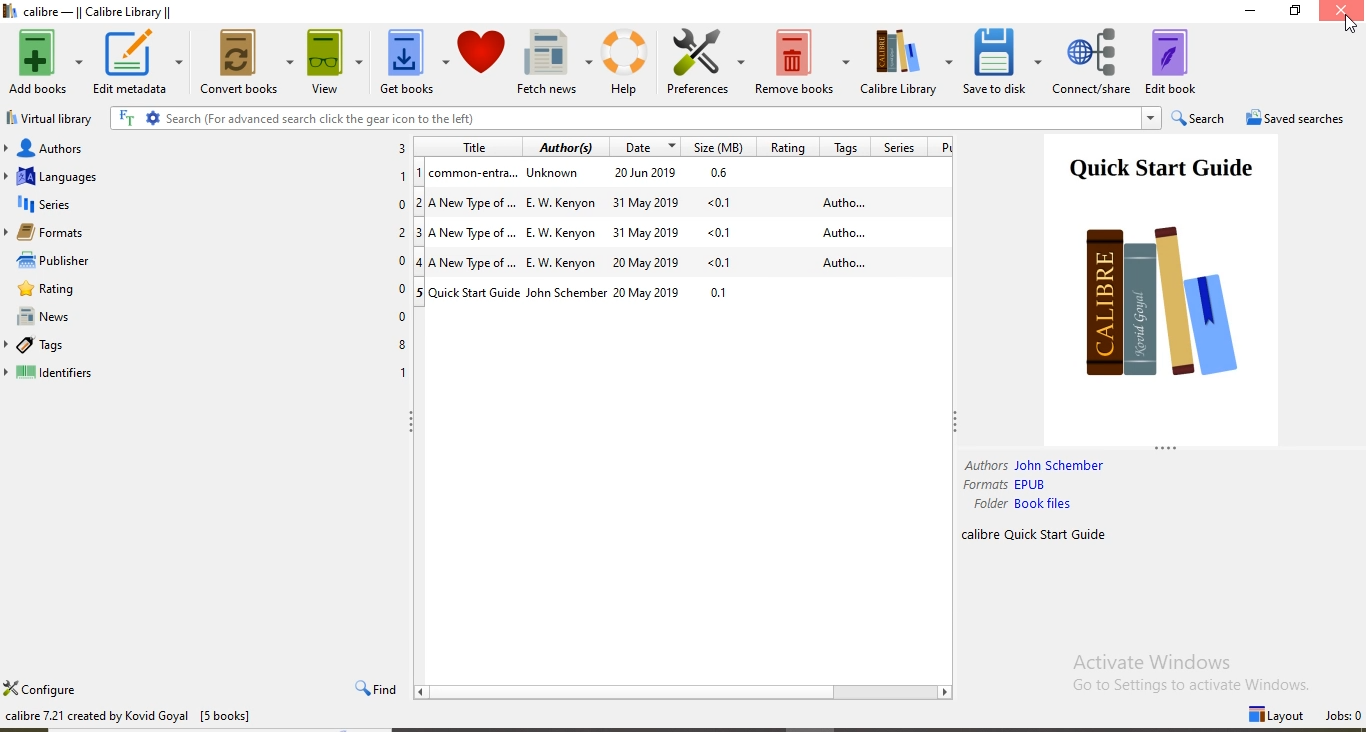  Describe the element at coordinates (785, 147) in the screenshot. I see `Rating` at that location.